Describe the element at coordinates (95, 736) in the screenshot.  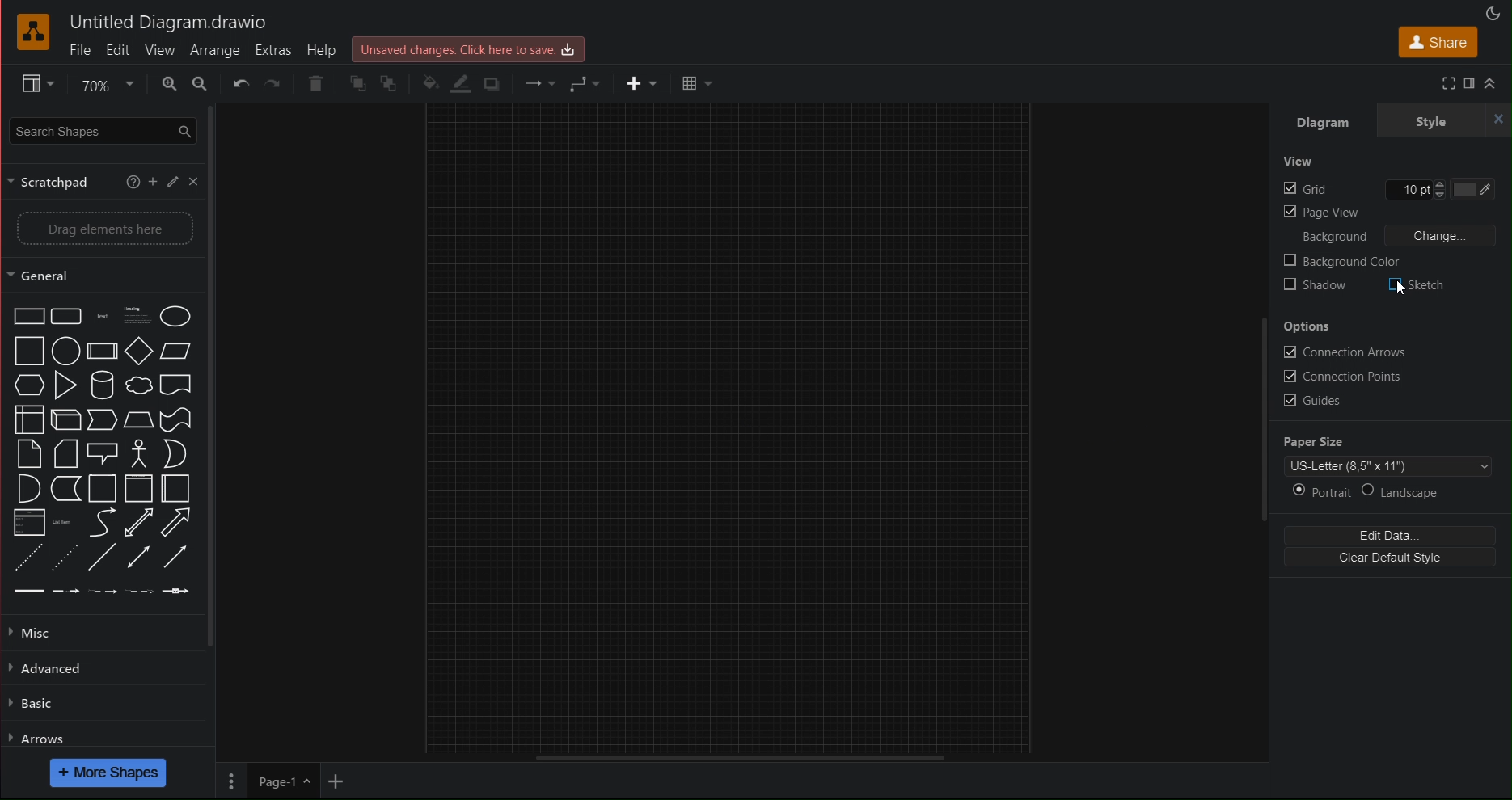
I see `Arrows` at that location.